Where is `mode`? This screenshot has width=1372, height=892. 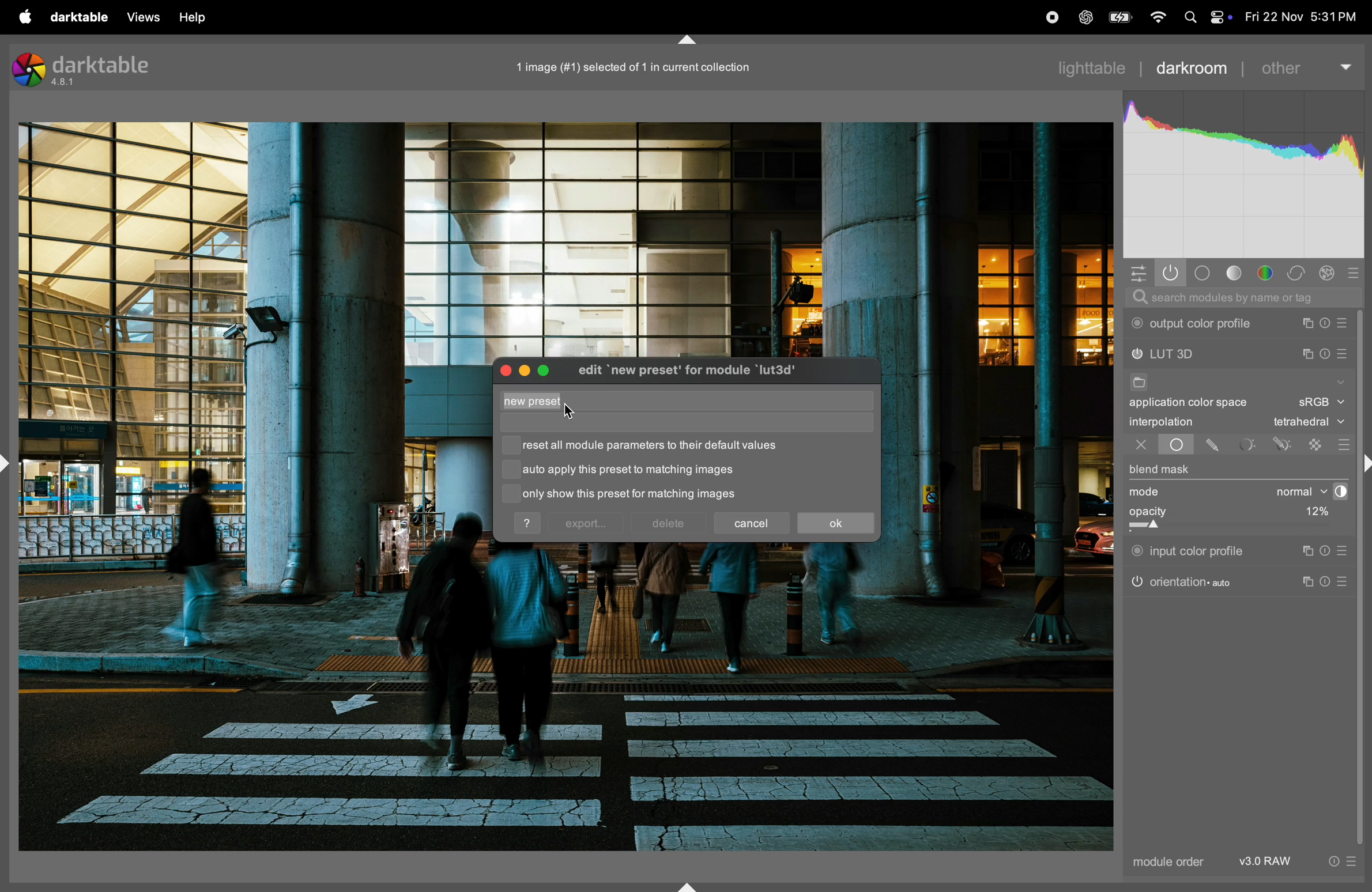
mode is located at coordinates (1148, 493).